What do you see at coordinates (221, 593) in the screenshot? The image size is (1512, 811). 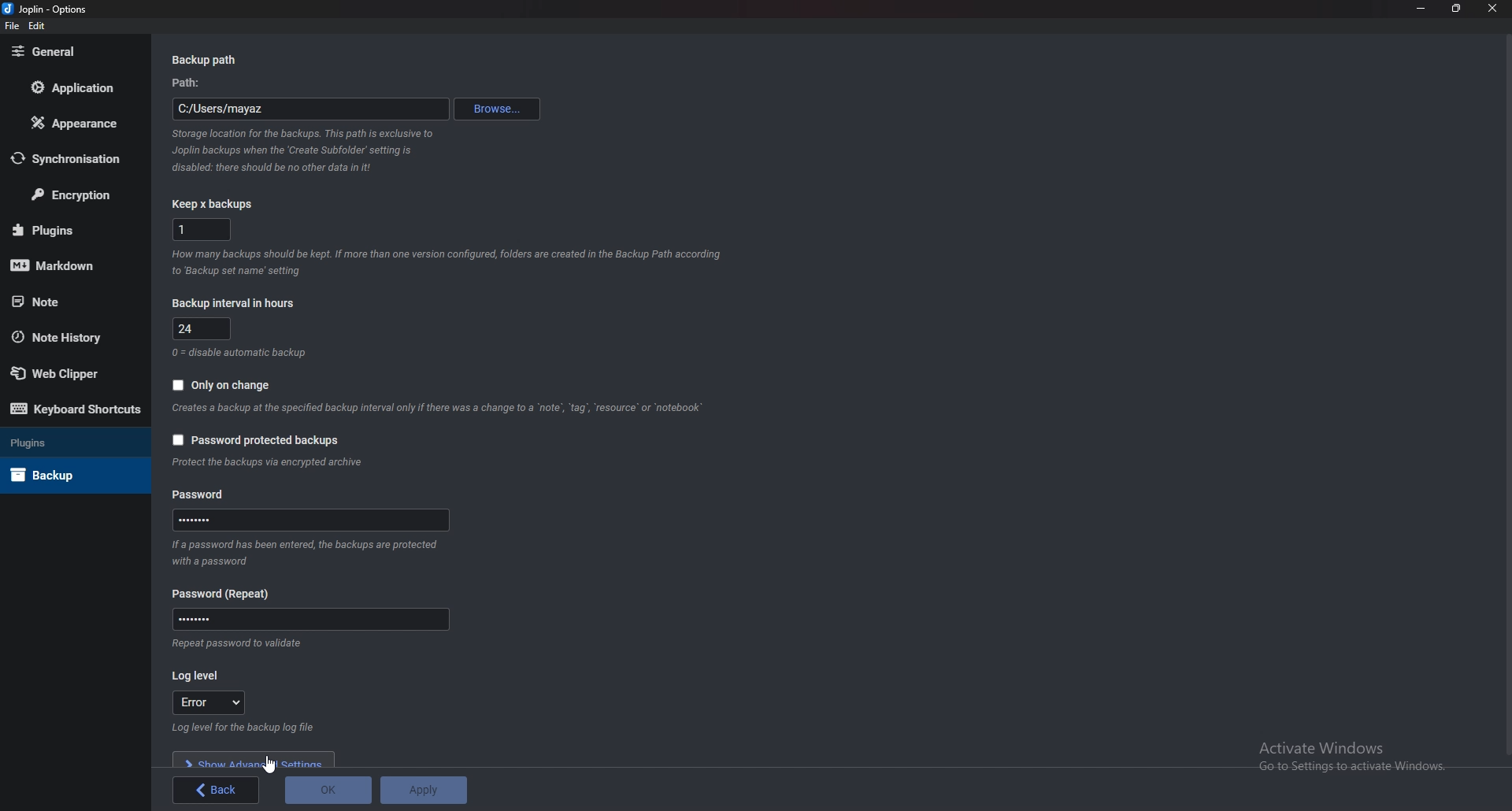 I see `Password` at bounding box center [221, 593].